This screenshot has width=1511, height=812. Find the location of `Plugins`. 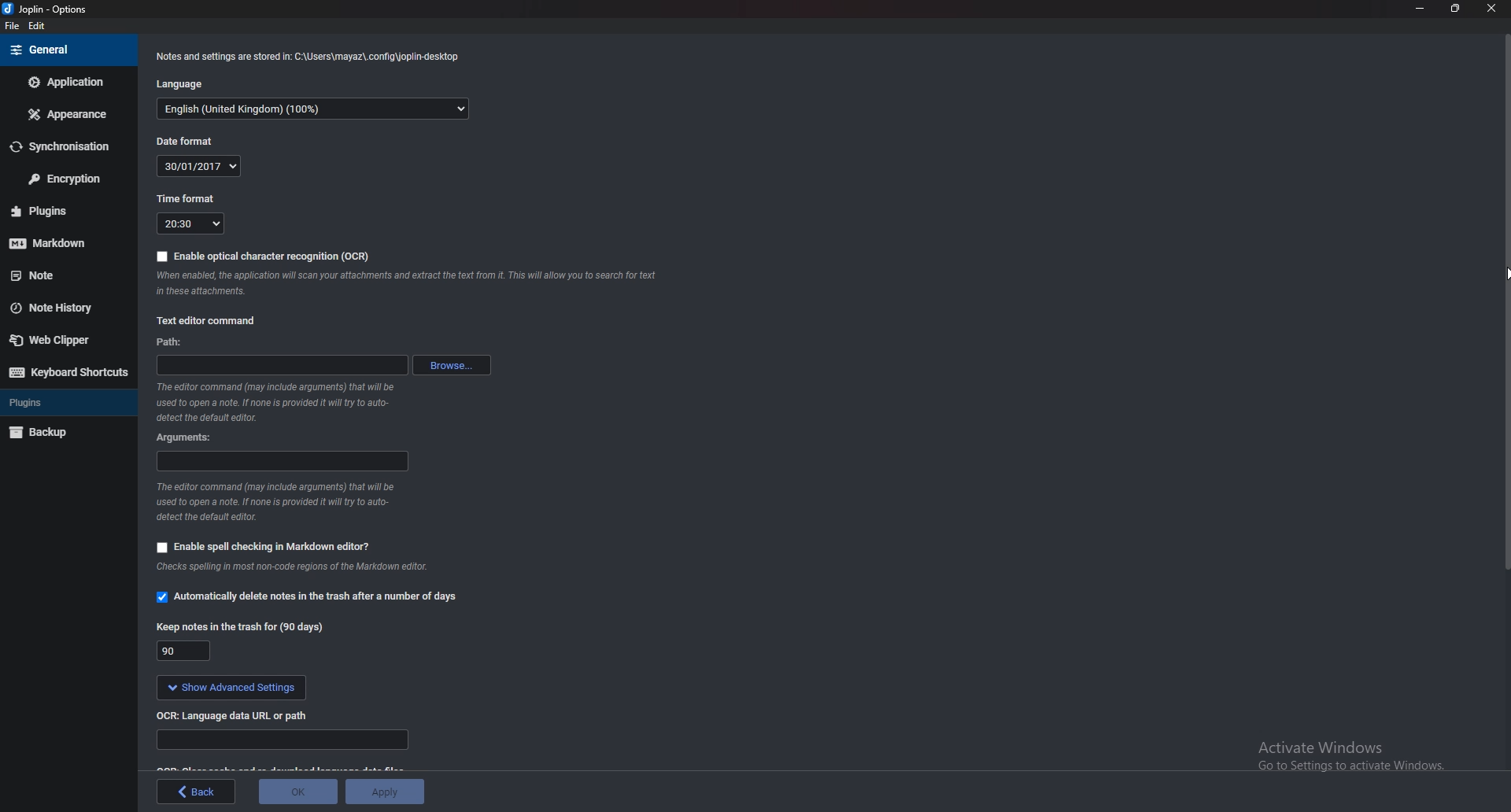

Plugins is located at coordinates (48, 212).